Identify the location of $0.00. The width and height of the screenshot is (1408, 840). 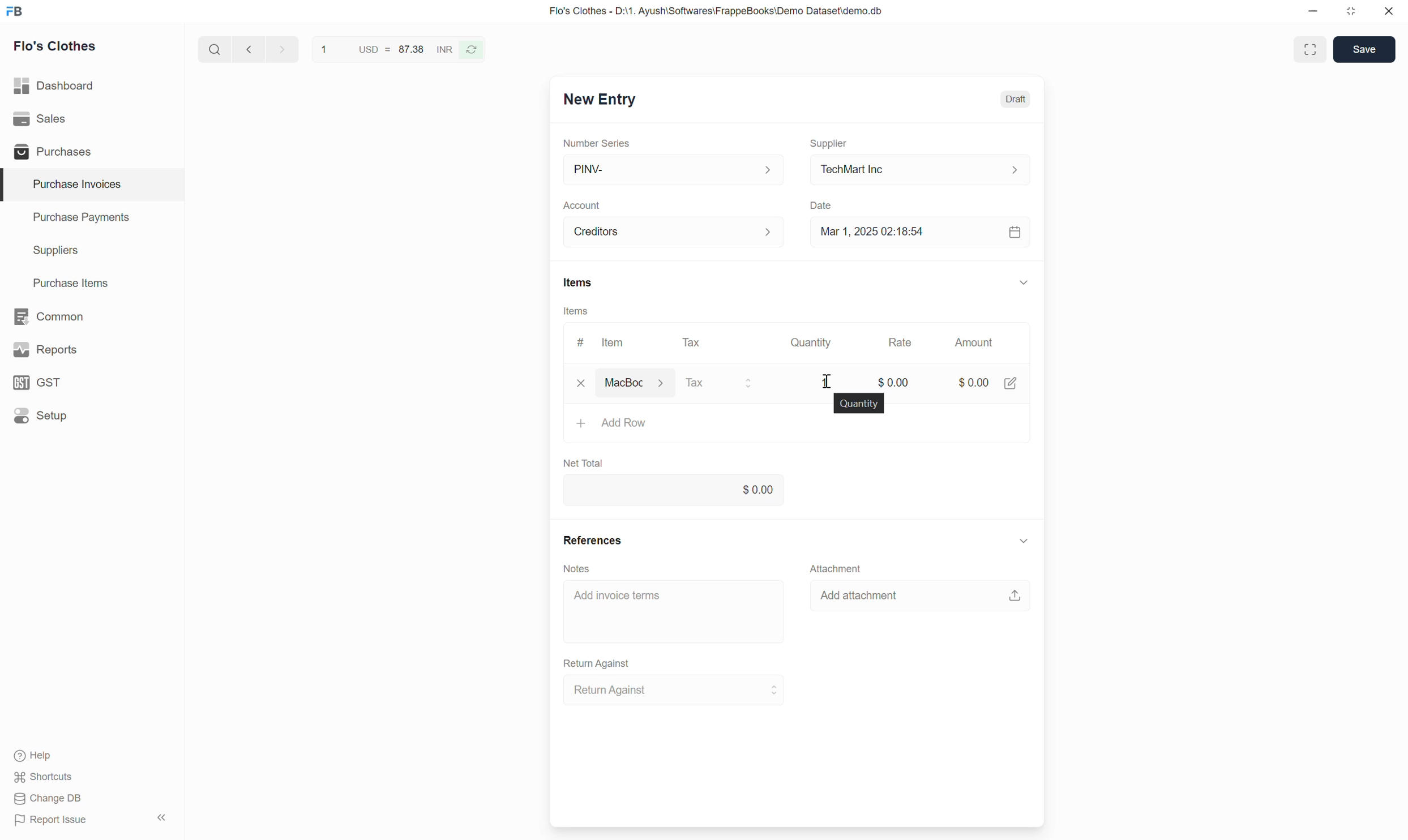
(988, 379).